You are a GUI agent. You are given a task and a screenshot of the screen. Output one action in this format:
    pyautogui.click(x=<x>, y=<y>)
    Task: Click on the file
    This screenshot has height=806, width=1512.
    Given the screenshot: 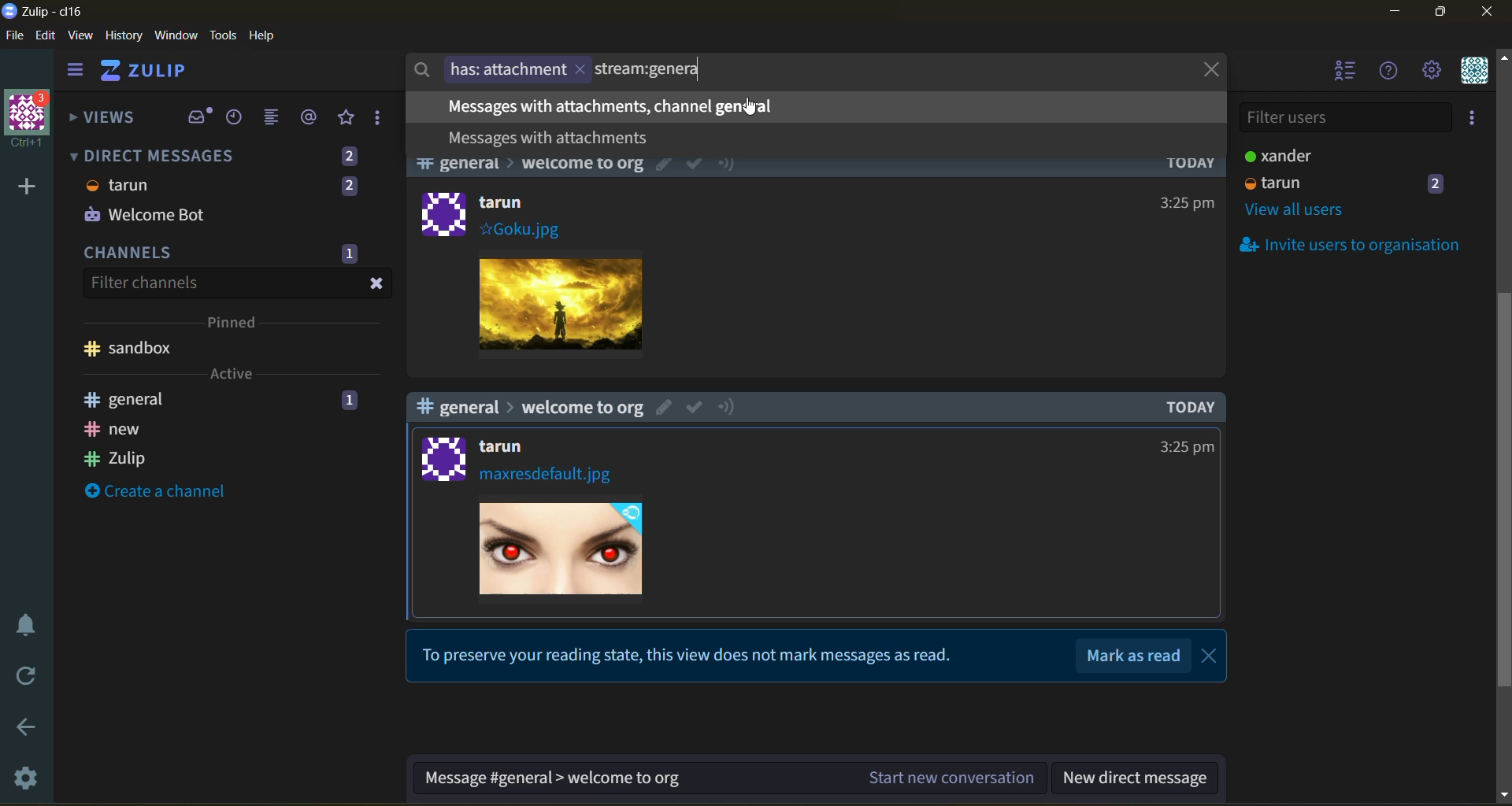 What is the action you would take?
    pyautogui.click(x=15, y=36)
    